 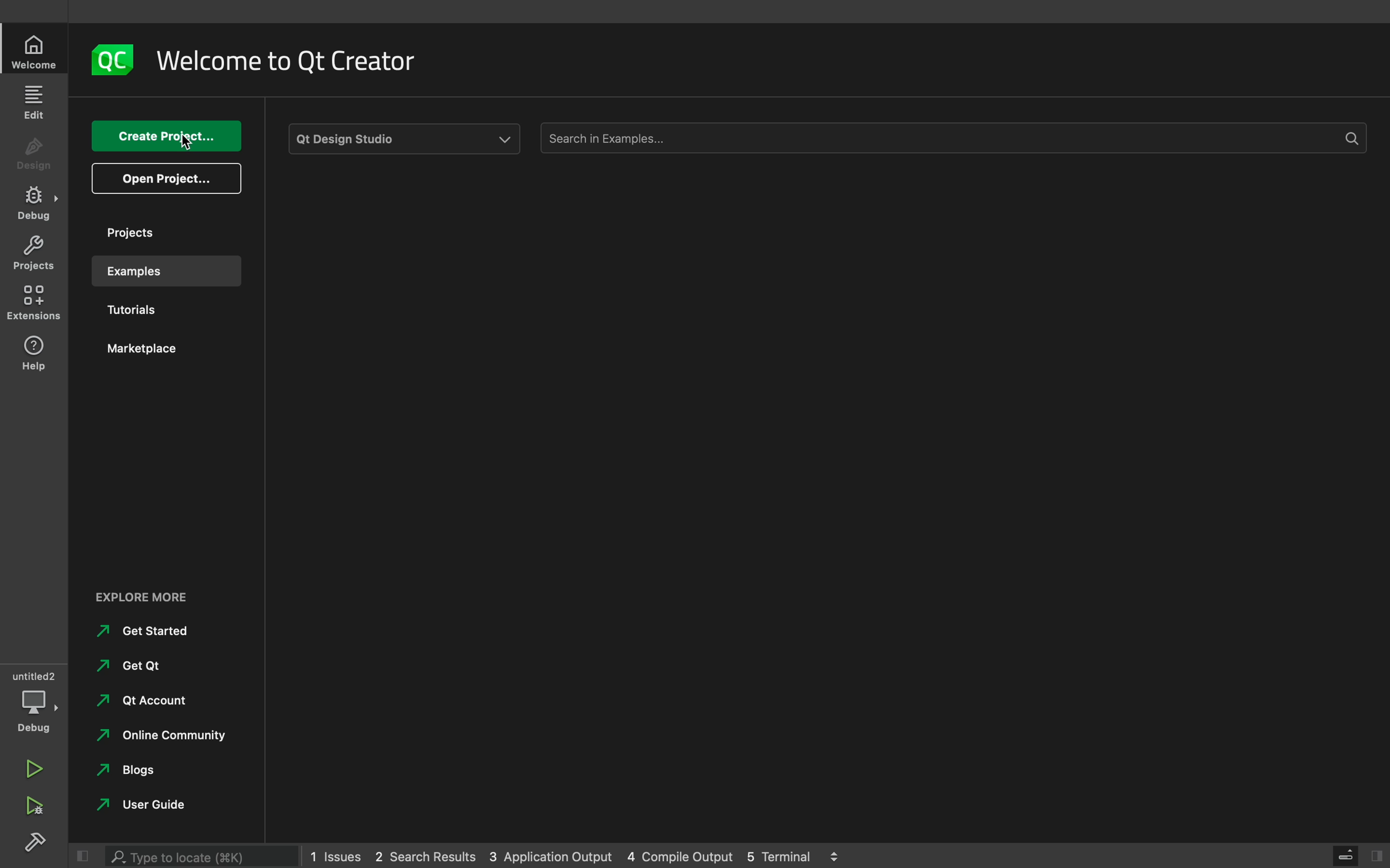 What do you see at coordinates (138, 808) in the screenshot?
I see `user guide` at bounding box center [138, 808].